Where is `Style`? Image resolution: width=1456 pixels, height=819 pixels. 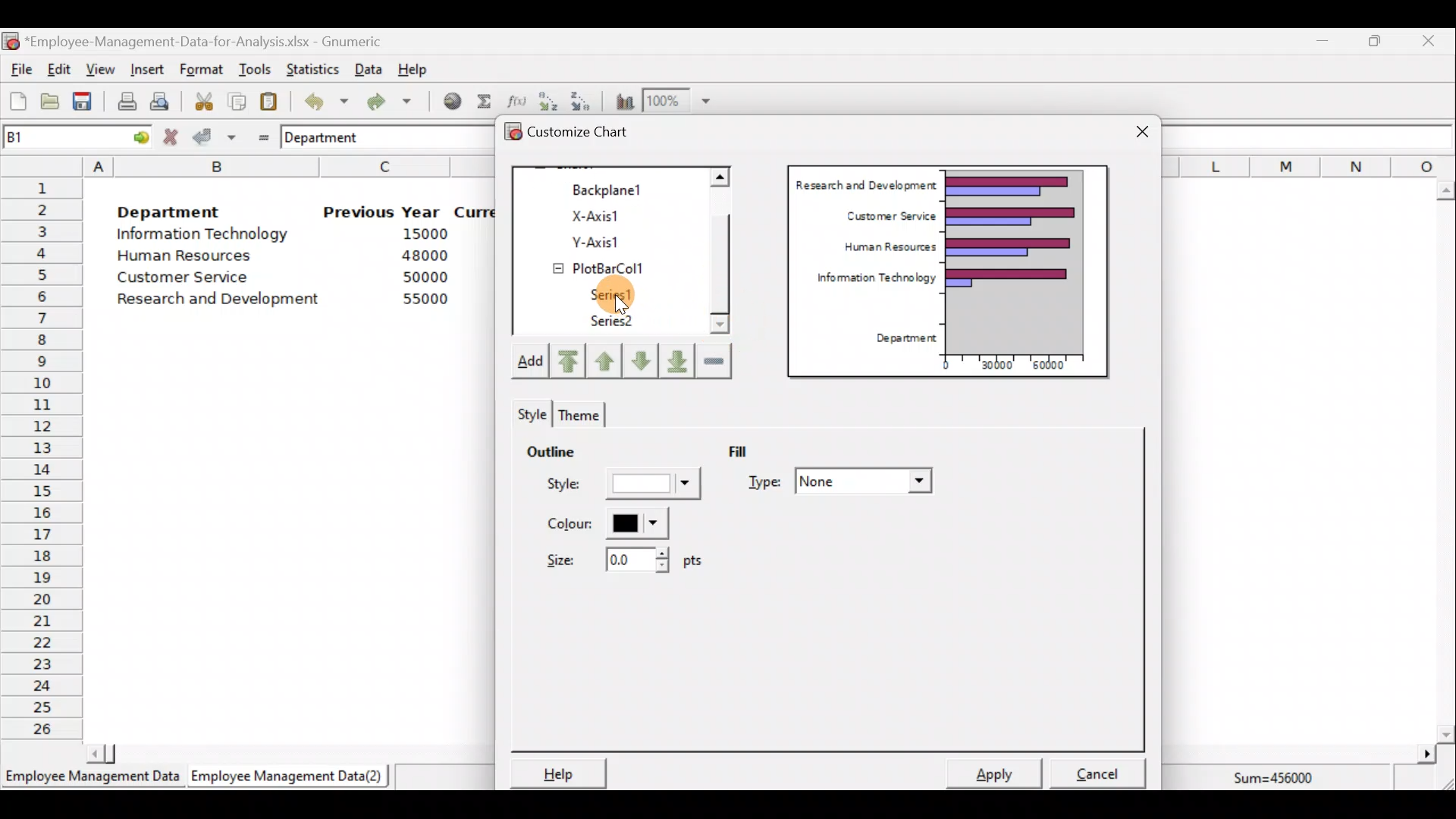
Style is located at coordinates (626, 488).